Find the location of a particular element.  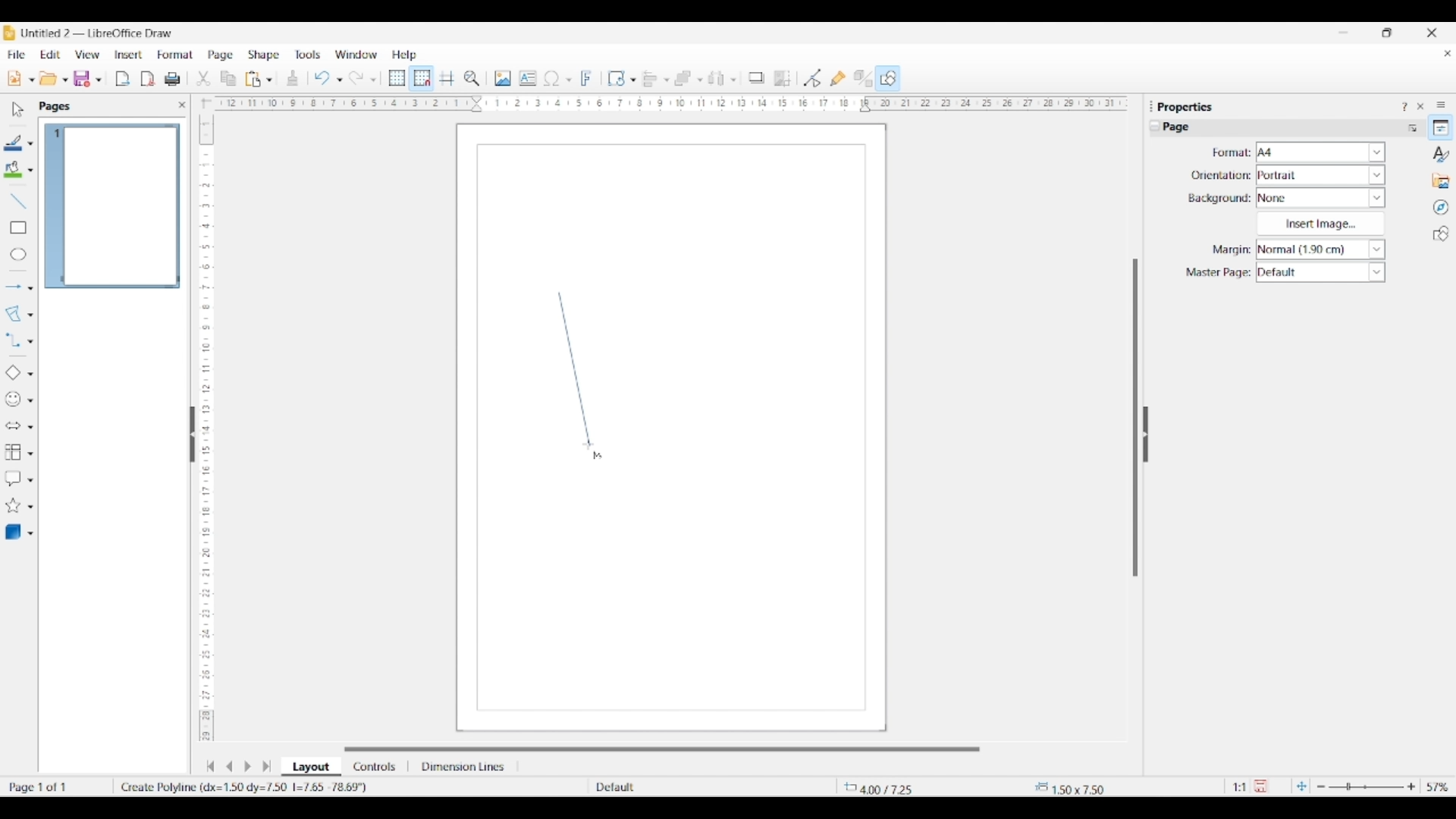

Insert text box is located at coordinates (528, 78).